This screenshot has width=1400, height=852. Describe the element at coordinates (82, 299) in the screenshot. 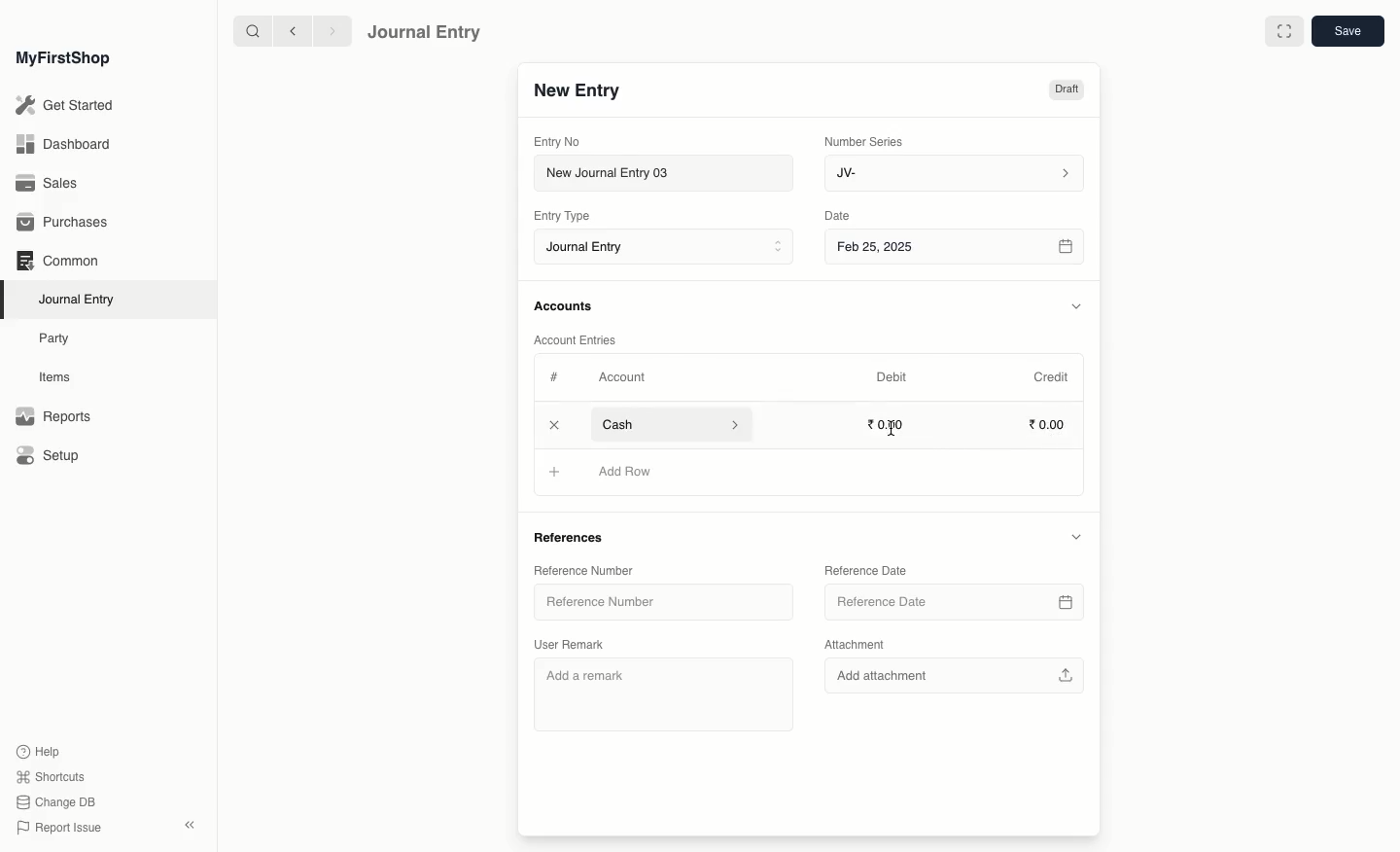

I see `Journal Entry` at that location.